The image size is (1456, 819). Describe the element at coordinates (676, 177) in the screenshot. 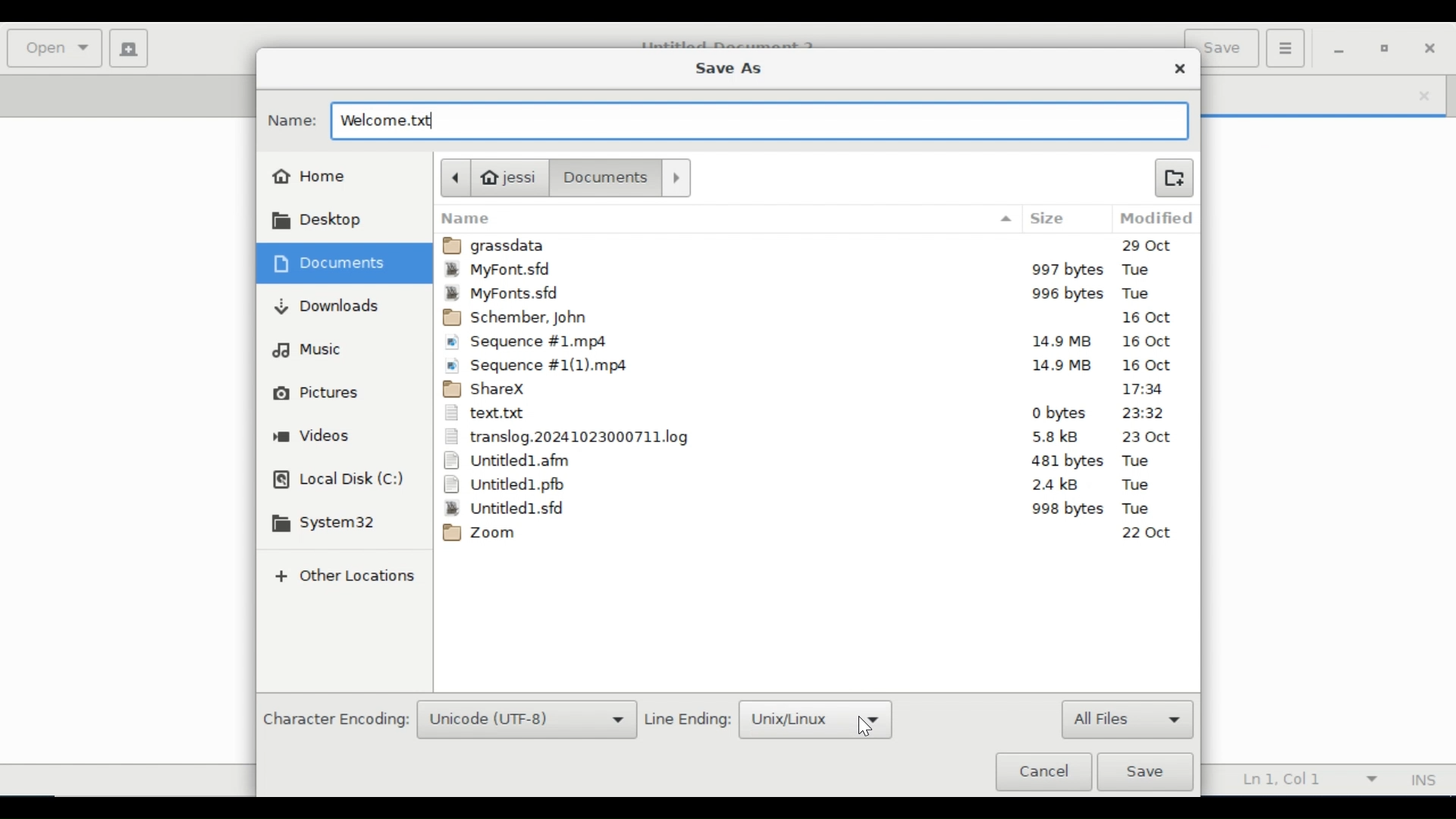

I see `Forward` at that location.